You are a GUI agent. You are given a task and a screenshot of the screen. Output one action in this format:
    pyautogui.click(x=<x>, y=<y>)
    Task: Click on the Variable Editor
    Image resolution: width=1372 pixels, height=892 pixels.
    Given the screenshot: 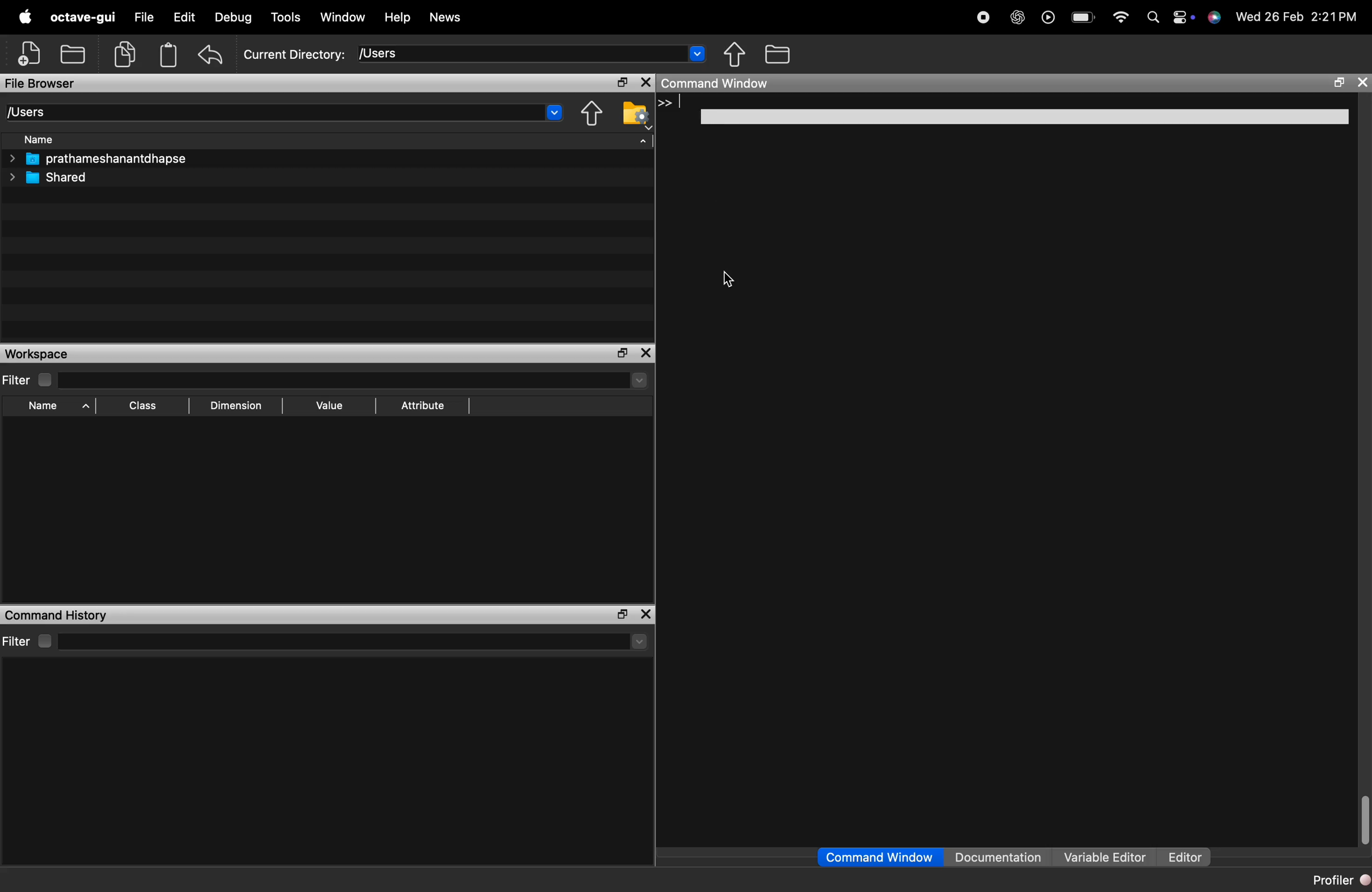 What is the action you would take?
    pyautogui.click(x=1105, y=857)
    